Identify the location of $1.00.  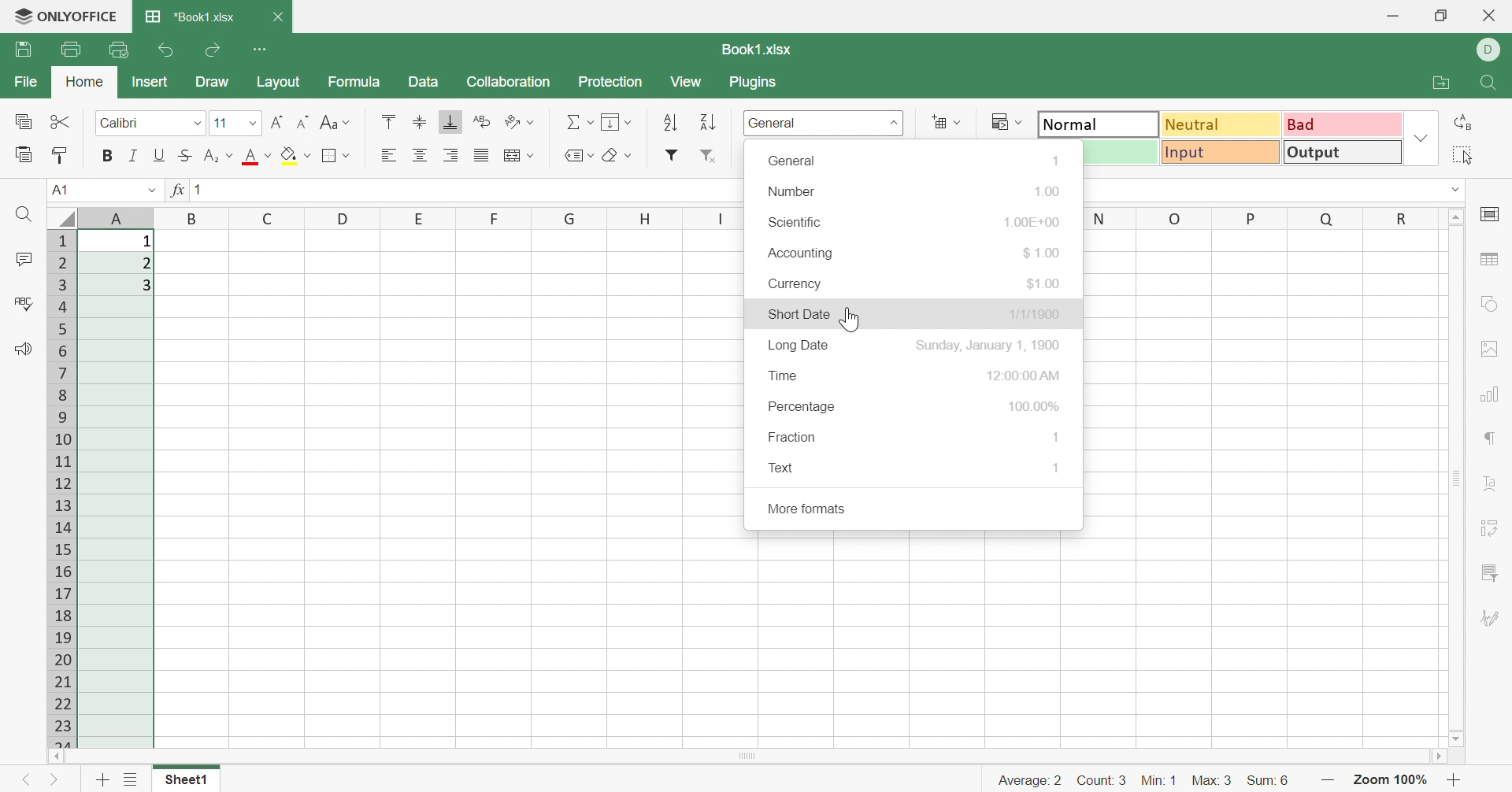
(1045, 284).